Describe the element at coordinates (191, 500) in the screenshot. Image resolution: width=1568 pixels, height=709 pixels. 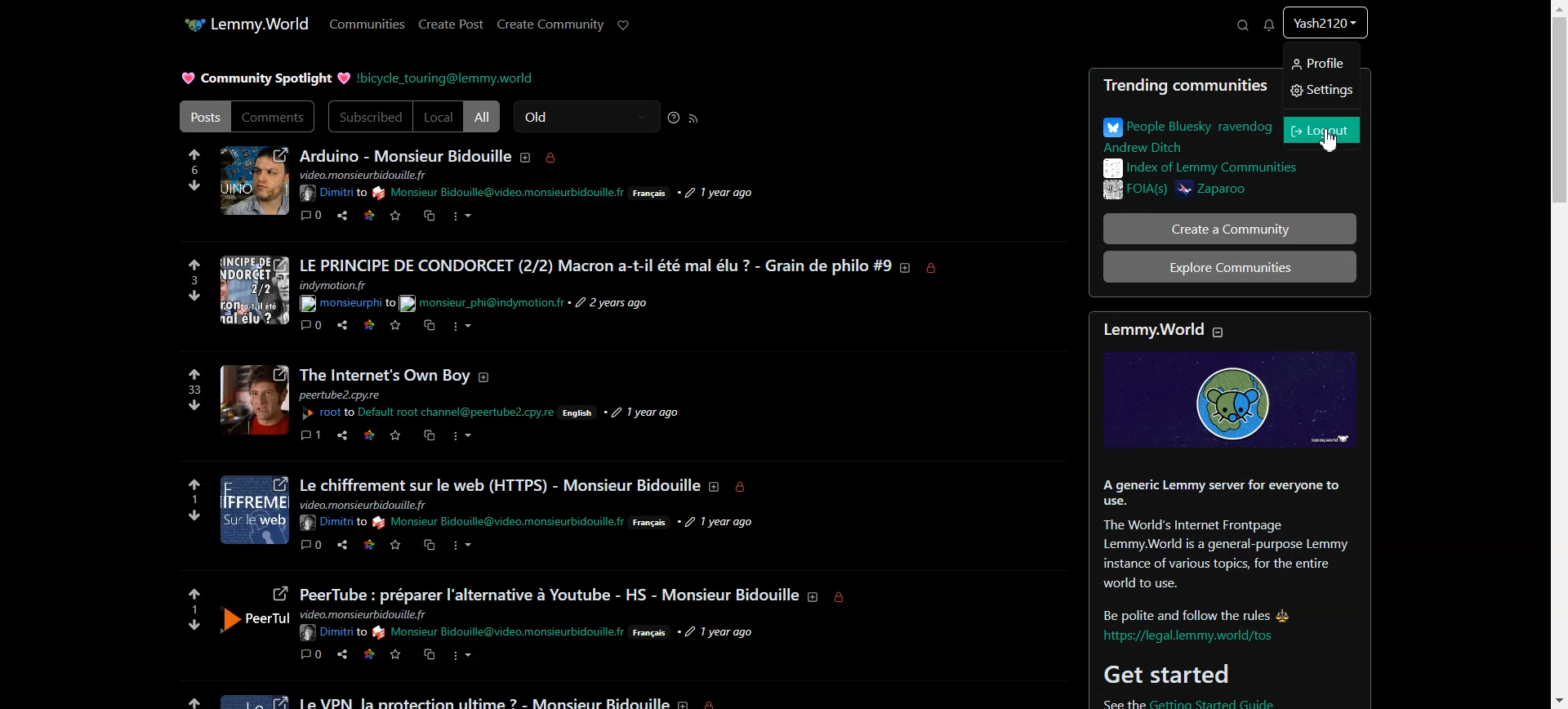
I see `1` at that location.